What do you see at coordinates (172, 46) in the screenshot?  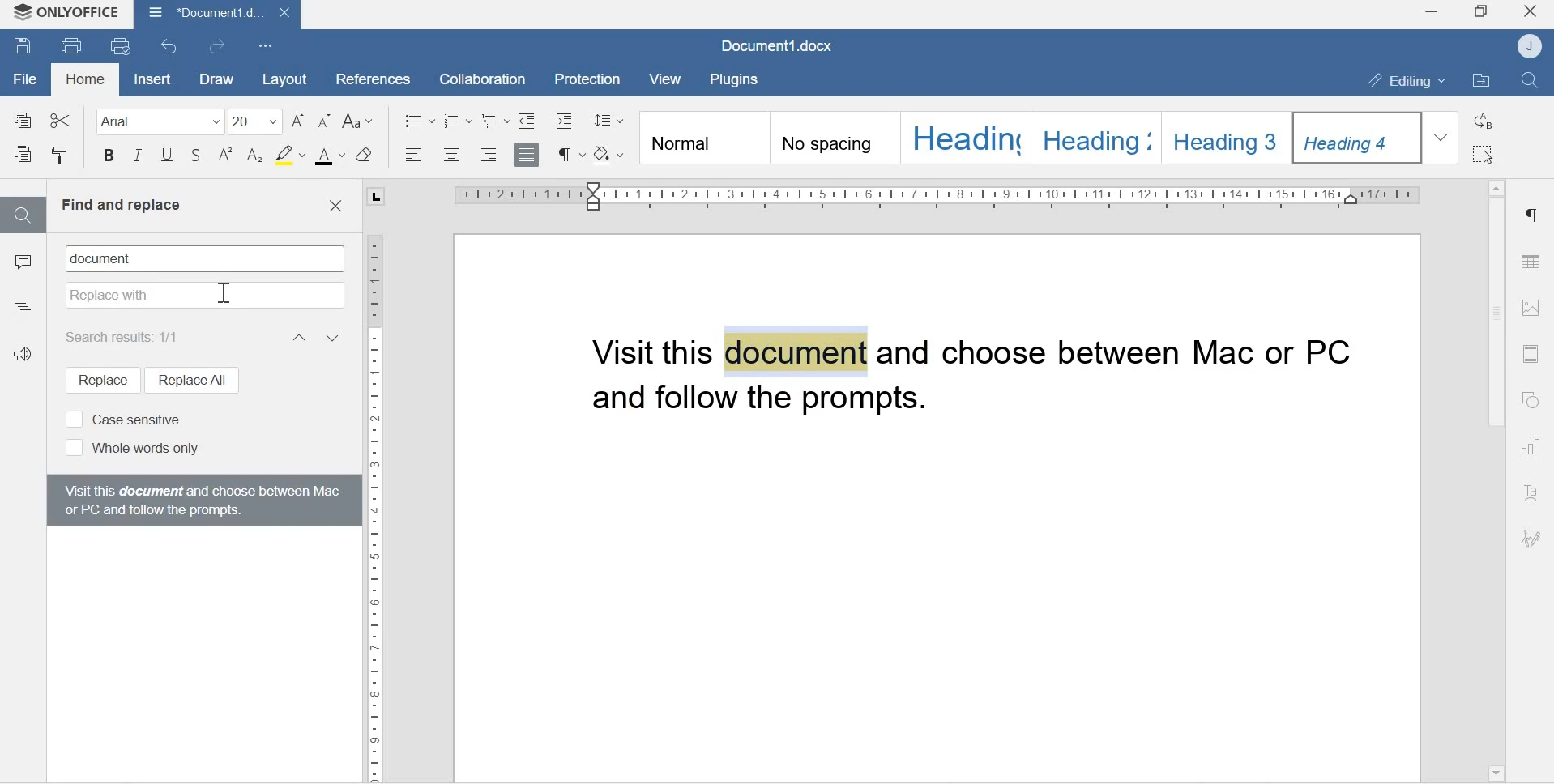 I see `Undo` at bounding box center [172, 46].